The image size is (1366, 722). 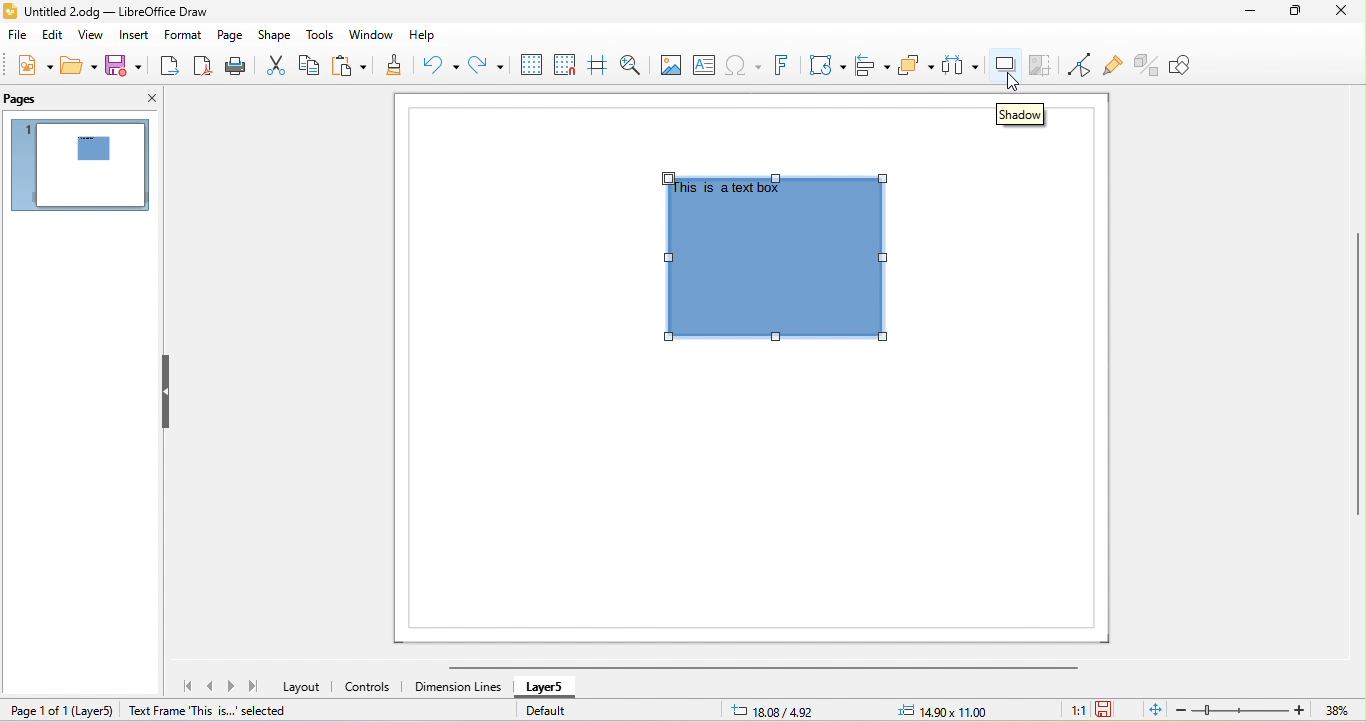 What do you see at coordinates (190, 687) in the screenshot?
I see `first page` at bounding box center [190, 687].